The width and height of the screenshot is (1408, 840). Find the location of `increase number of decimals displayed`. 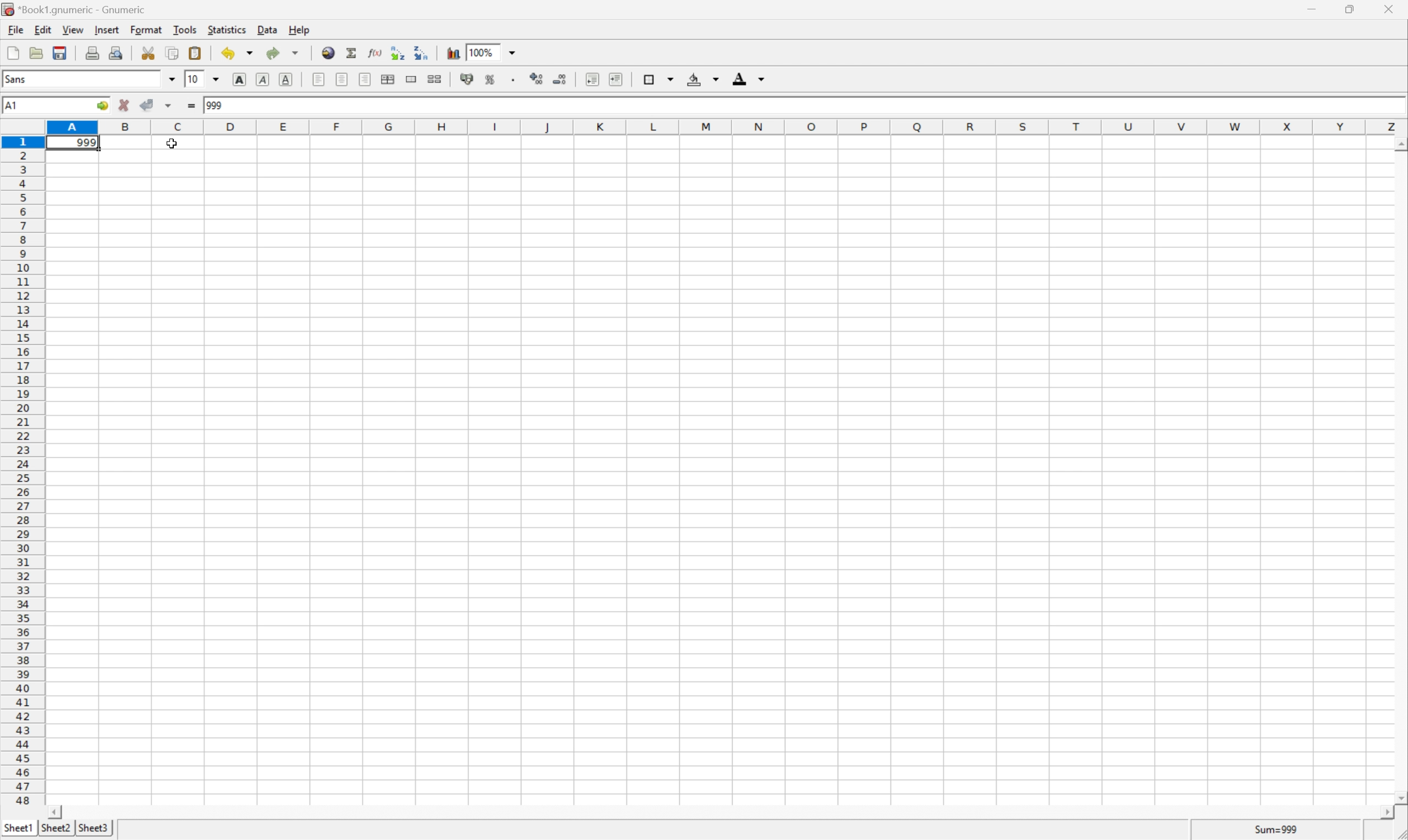

increase number of decimals displayed is located at coordinates (536, 78).